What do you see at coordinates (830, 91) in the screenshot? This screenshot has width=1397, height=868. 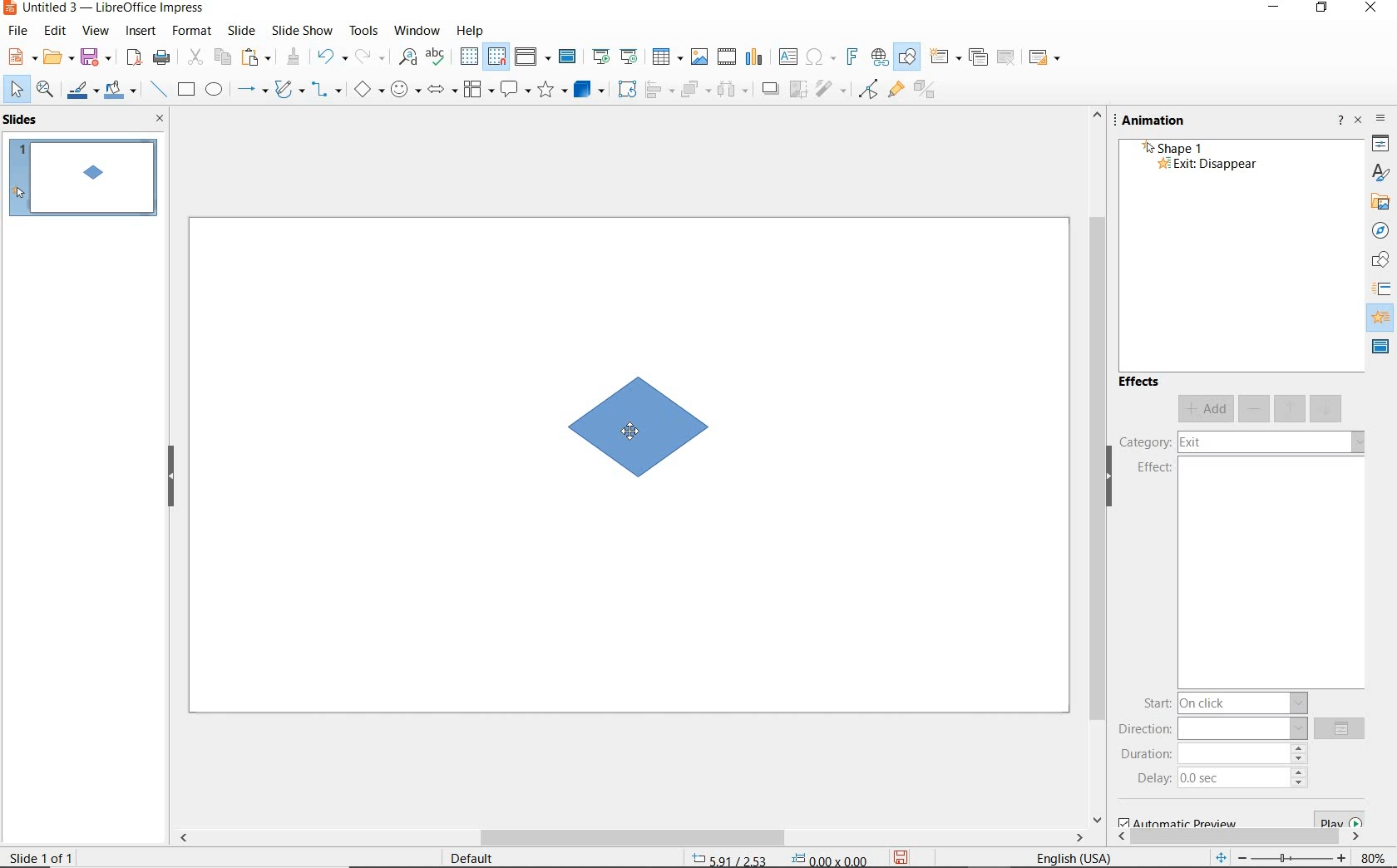 I see `filter` at bounding box center [830, 91].